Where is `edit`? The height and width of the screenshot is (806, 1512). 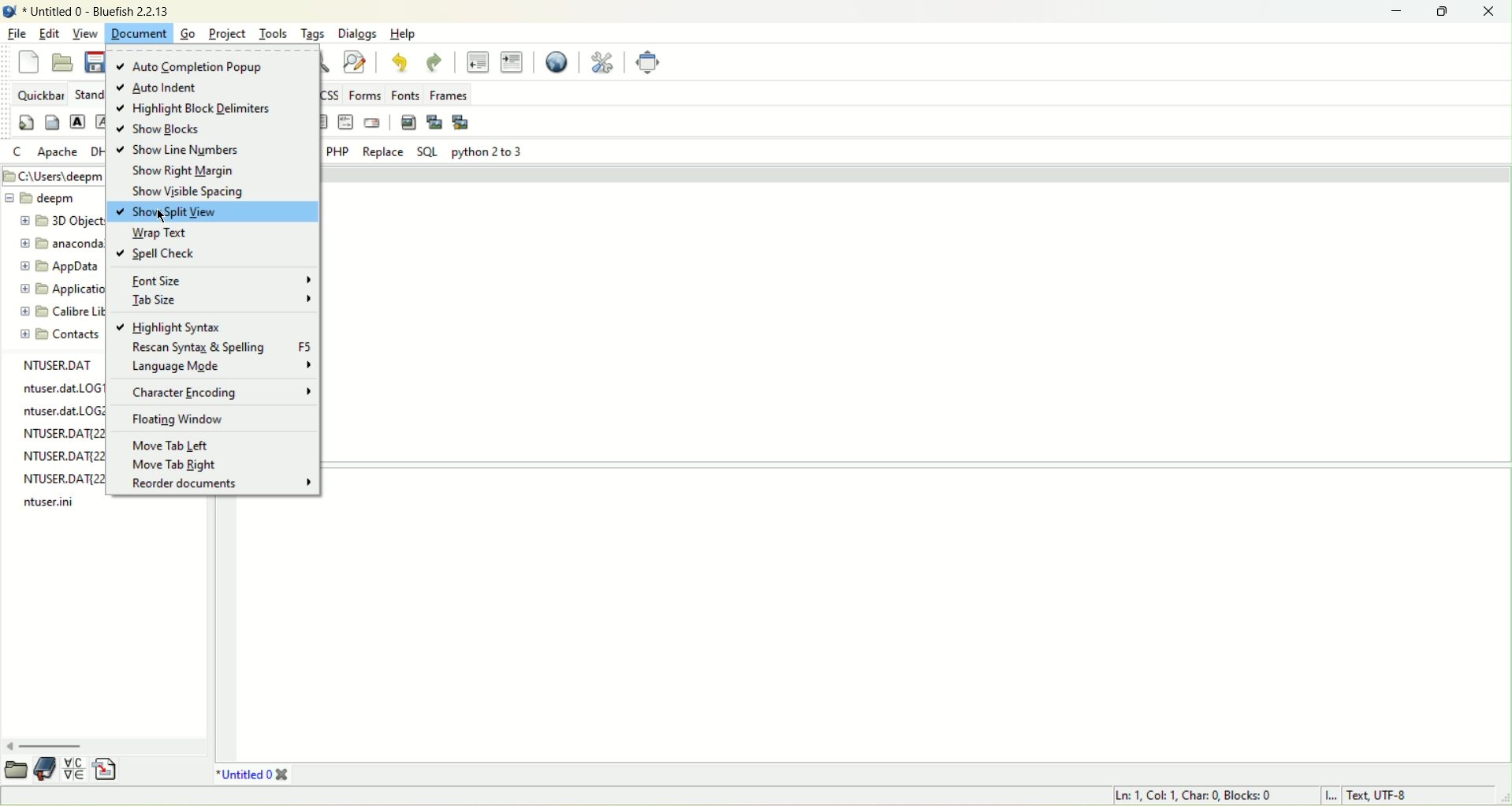 edit is located at coordinates (50, 33).